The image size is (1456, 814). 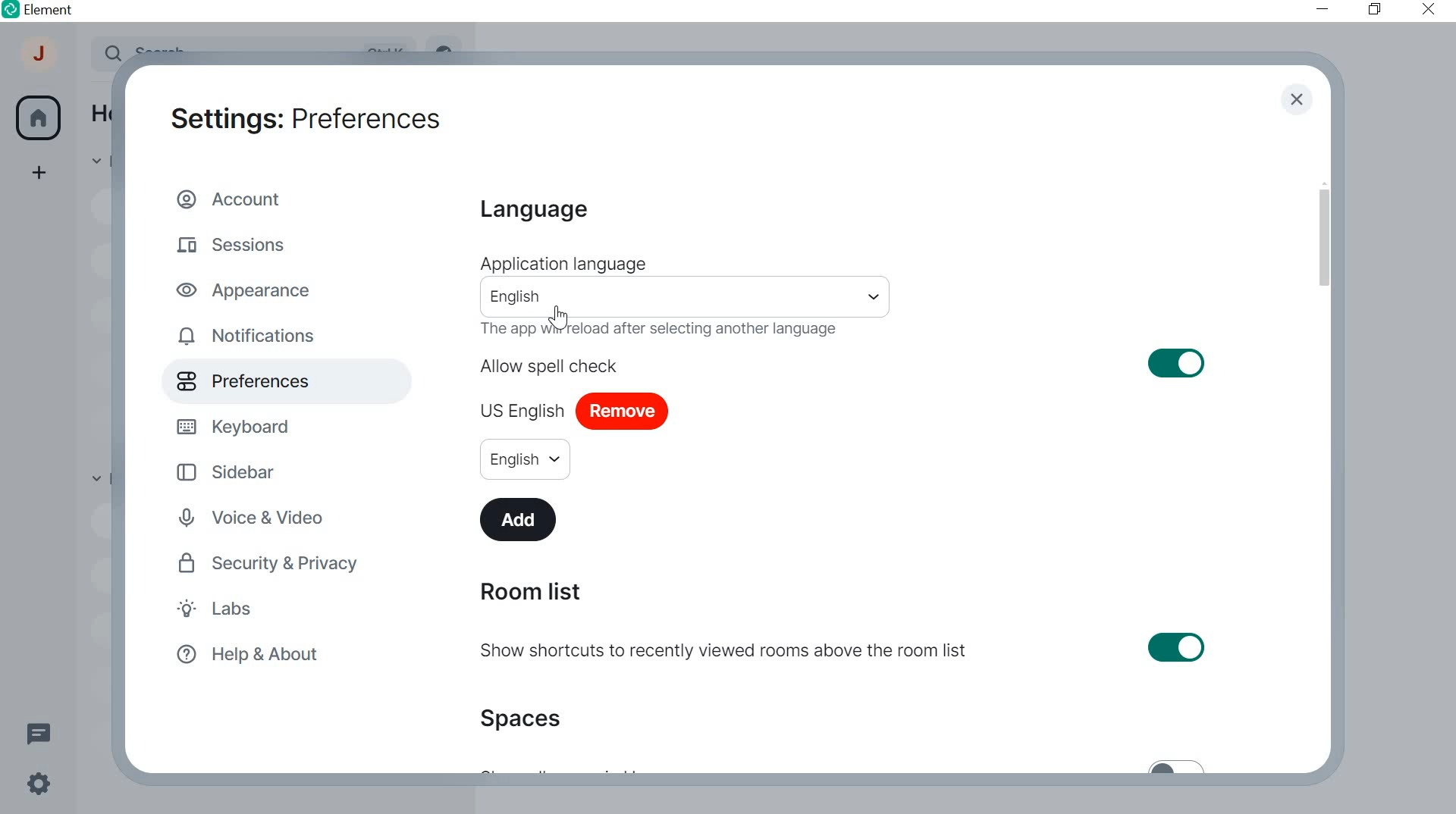 I want to click on KEYBOARD, so click(x=237, y=424).